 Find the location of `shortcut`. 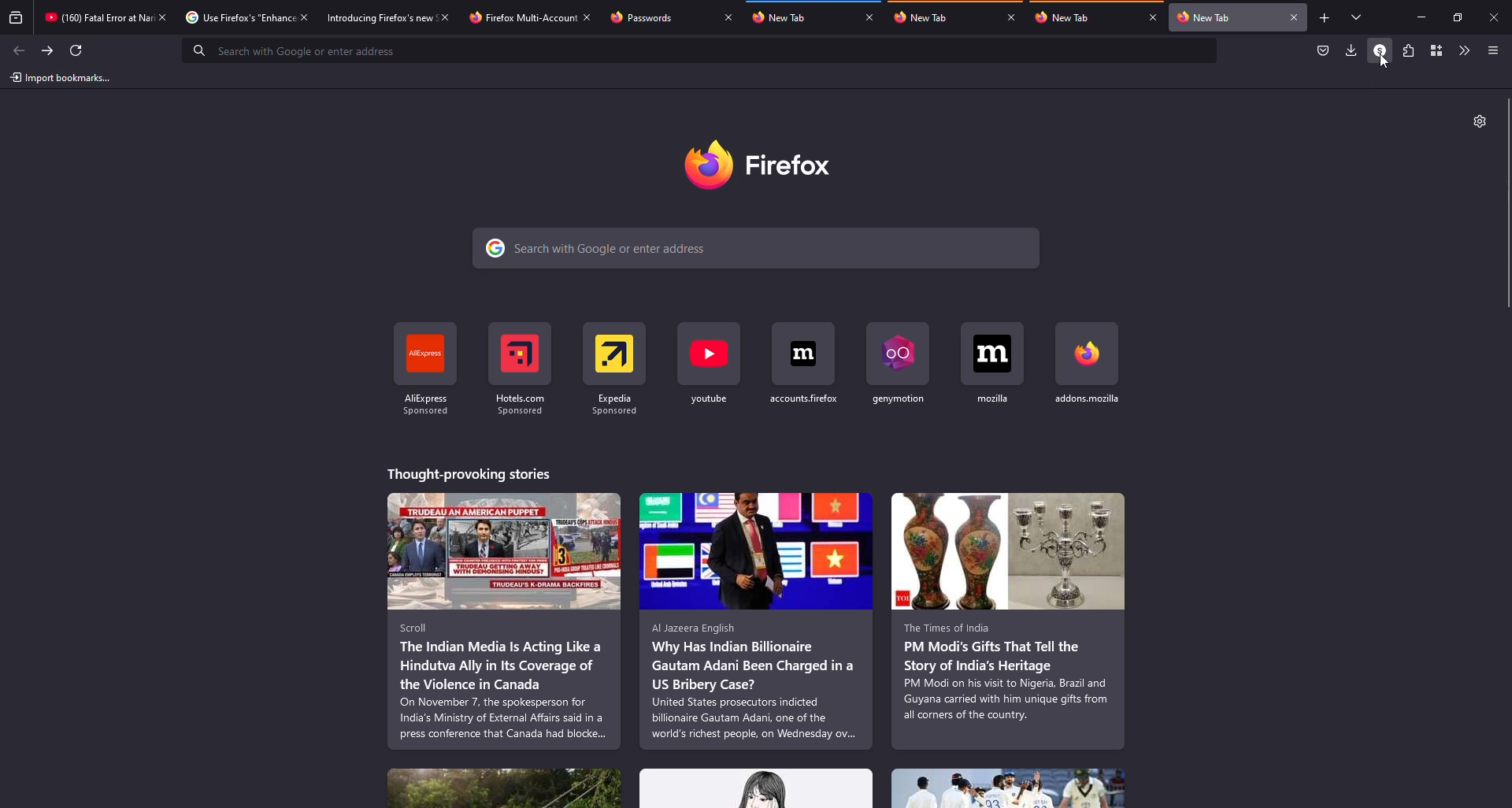

shortcut is located at coordinates (994, 364).